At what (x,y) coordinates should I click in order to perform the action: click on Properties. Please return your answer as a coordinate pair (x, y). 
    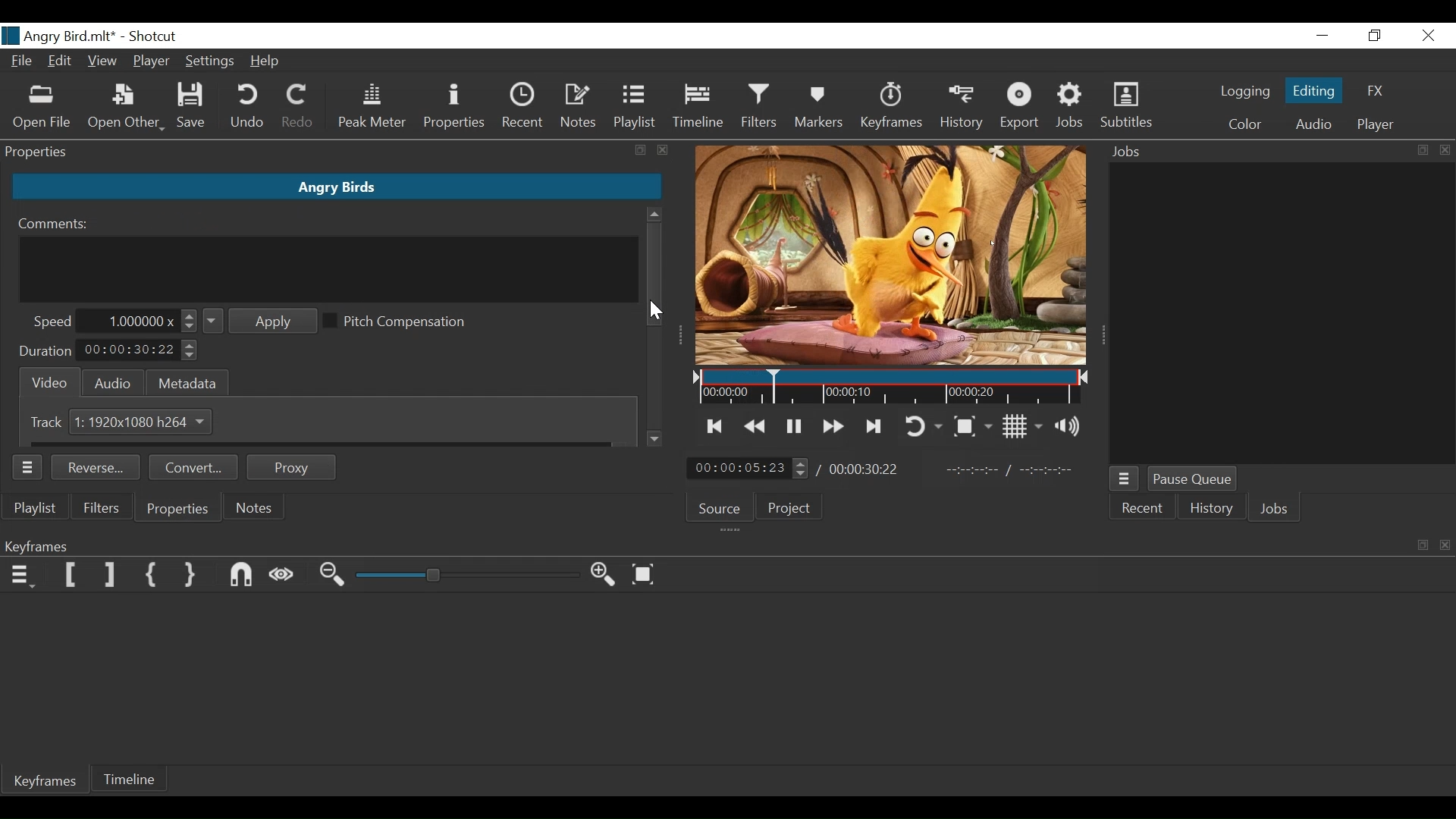
    Looking at the image, I should click on (179, 510).